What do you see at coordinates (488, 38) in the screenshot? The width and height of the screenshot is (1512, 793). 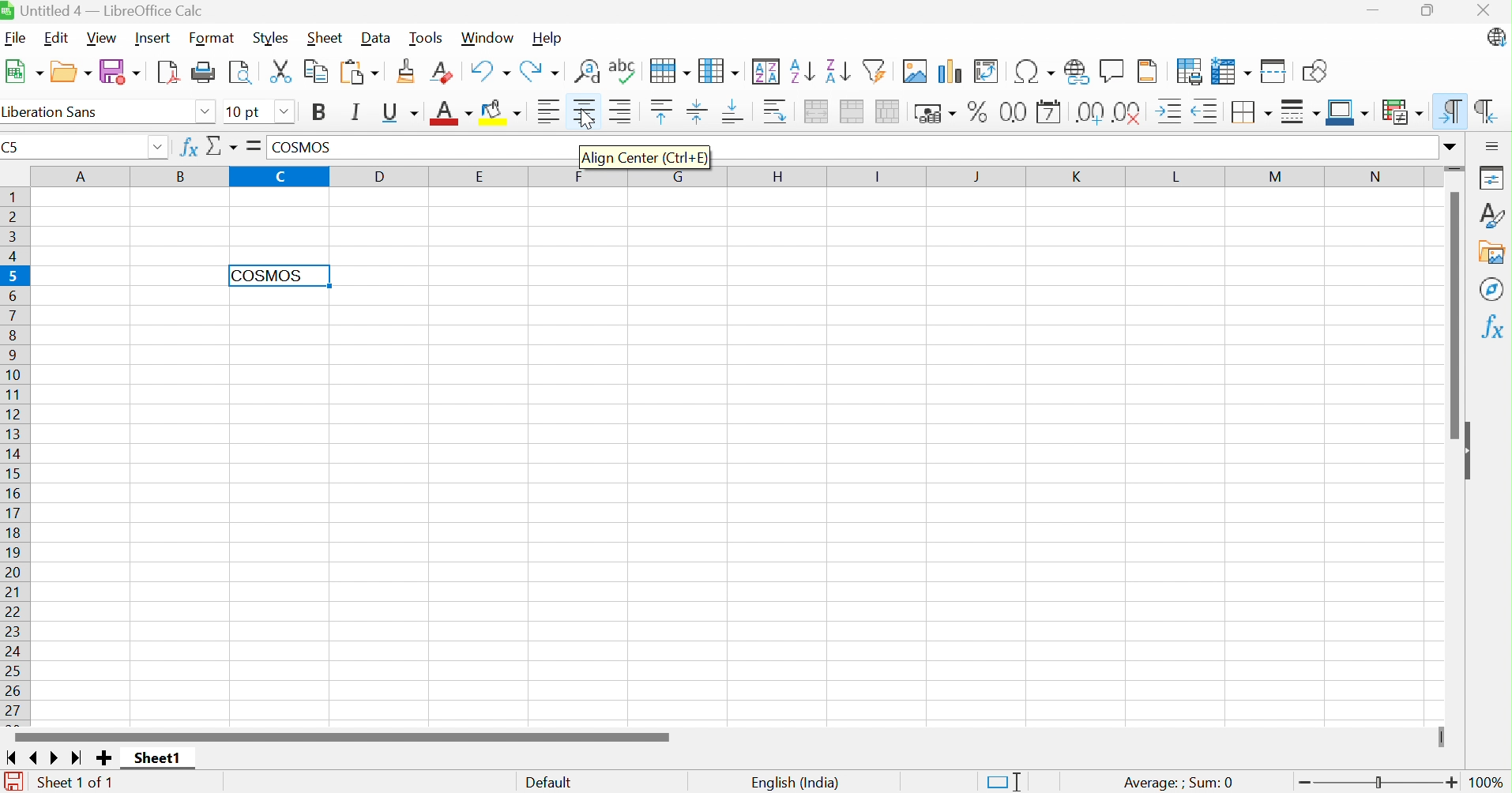 I see `Window` at bounding box center [488, 38].